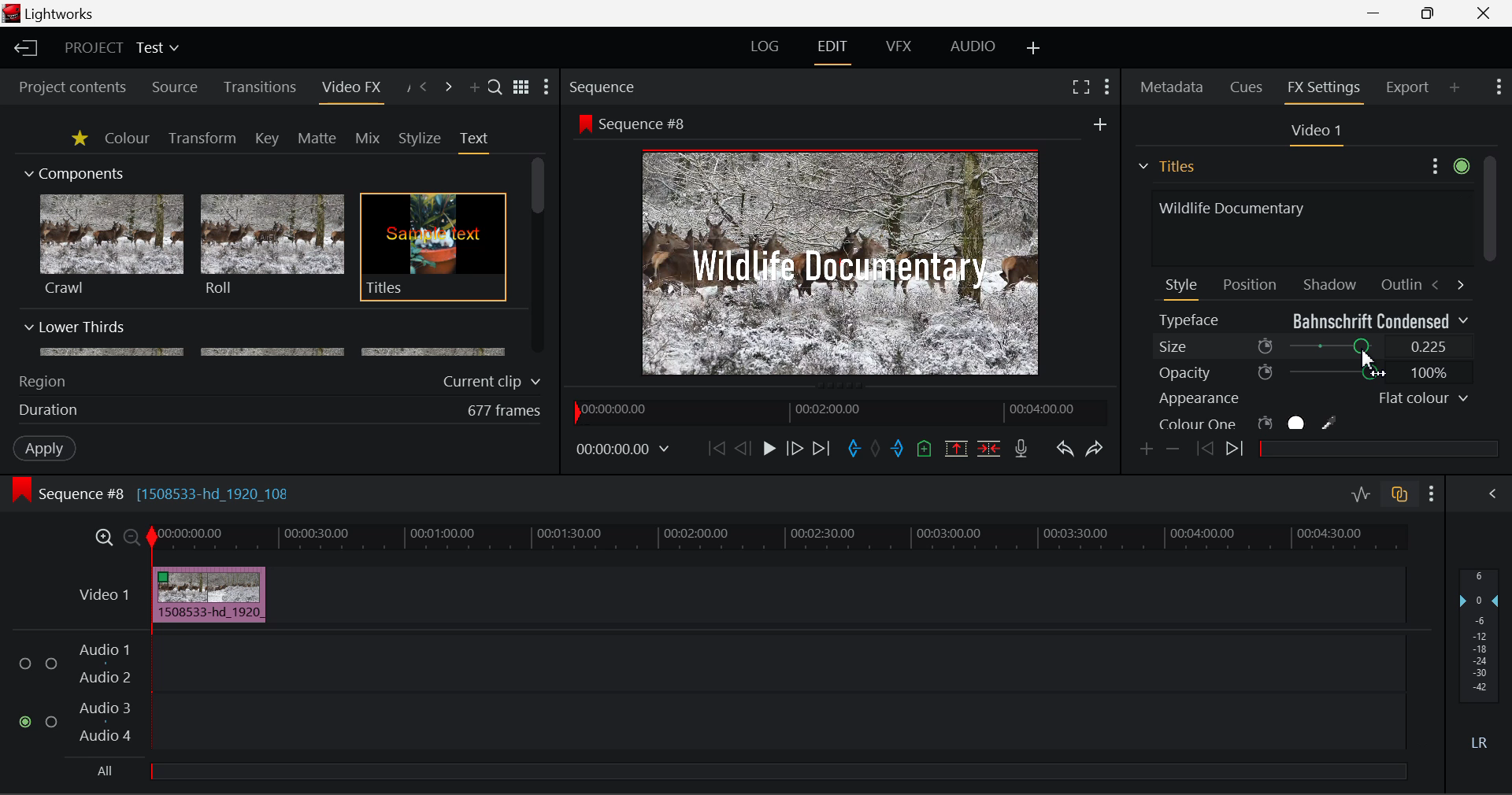 The width and height of the screenshot is (1512, 795). Describe the element at coordinates (1183, 288) in the screenshot. I see `Style Tab Open` at that location.